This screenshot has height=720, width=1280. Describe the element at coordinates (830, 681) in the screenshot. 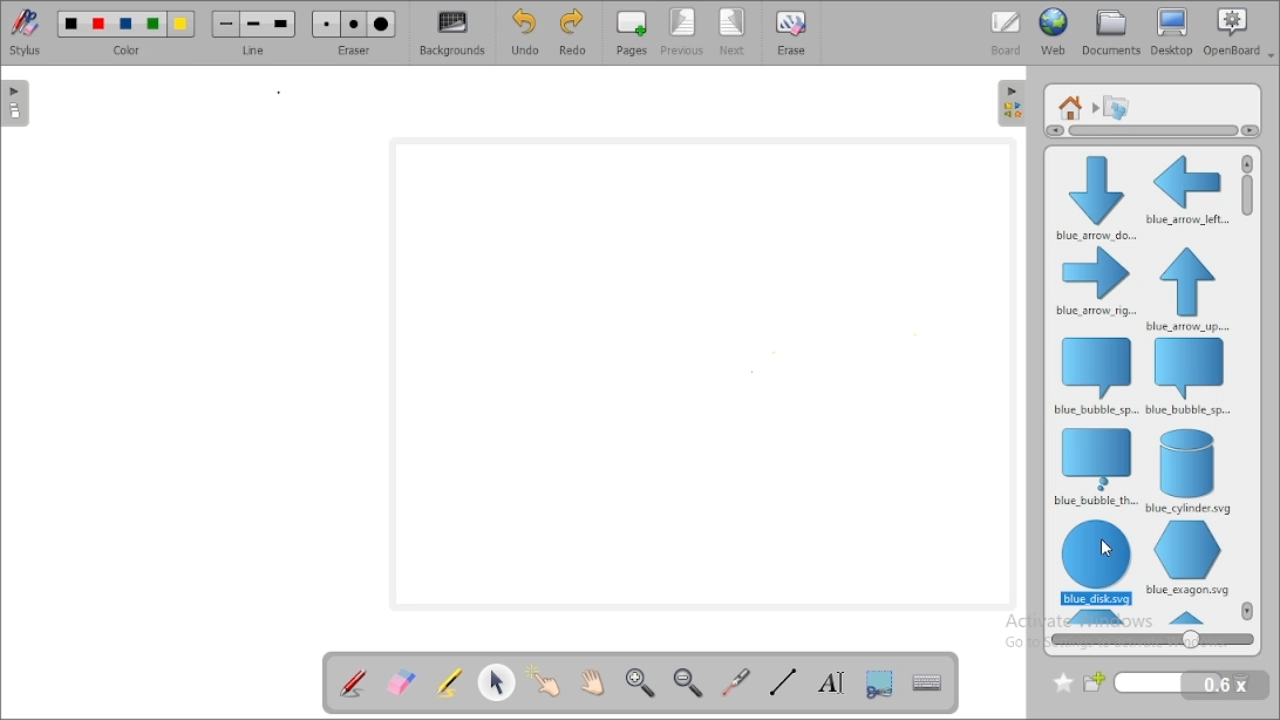

I see `write text` at that location.